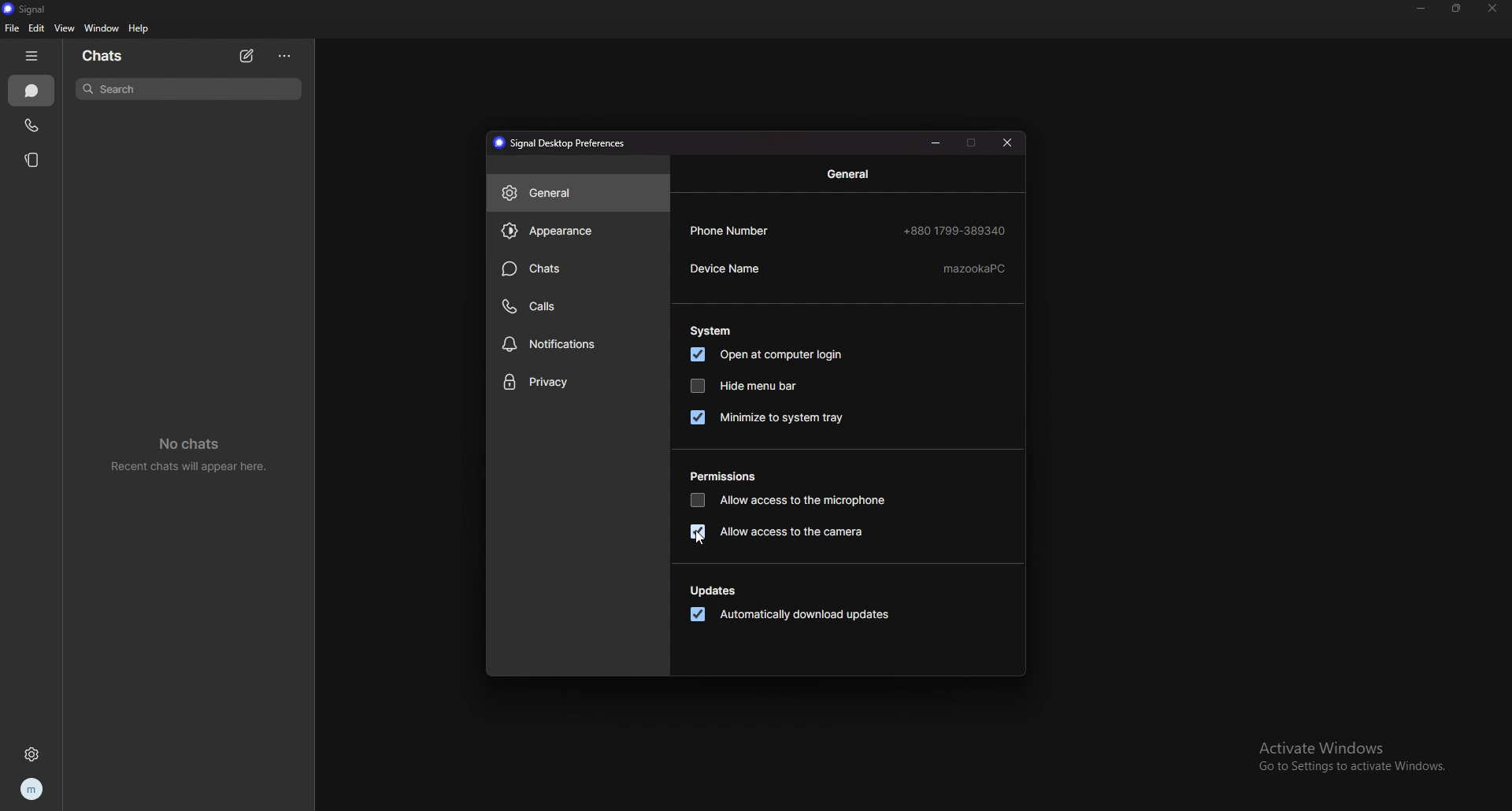 The image size is (1512, 811). Describe the element at coordinates (850, 269) in the screenshot. I see `device name` at that location.